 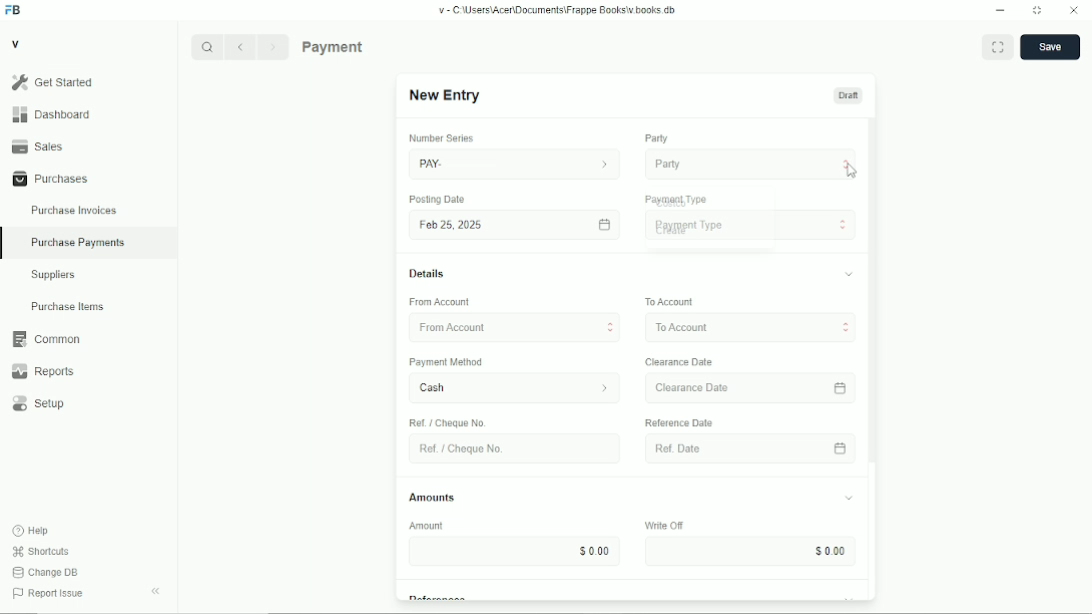 I want to click on Party, so click(x=656, y=138).